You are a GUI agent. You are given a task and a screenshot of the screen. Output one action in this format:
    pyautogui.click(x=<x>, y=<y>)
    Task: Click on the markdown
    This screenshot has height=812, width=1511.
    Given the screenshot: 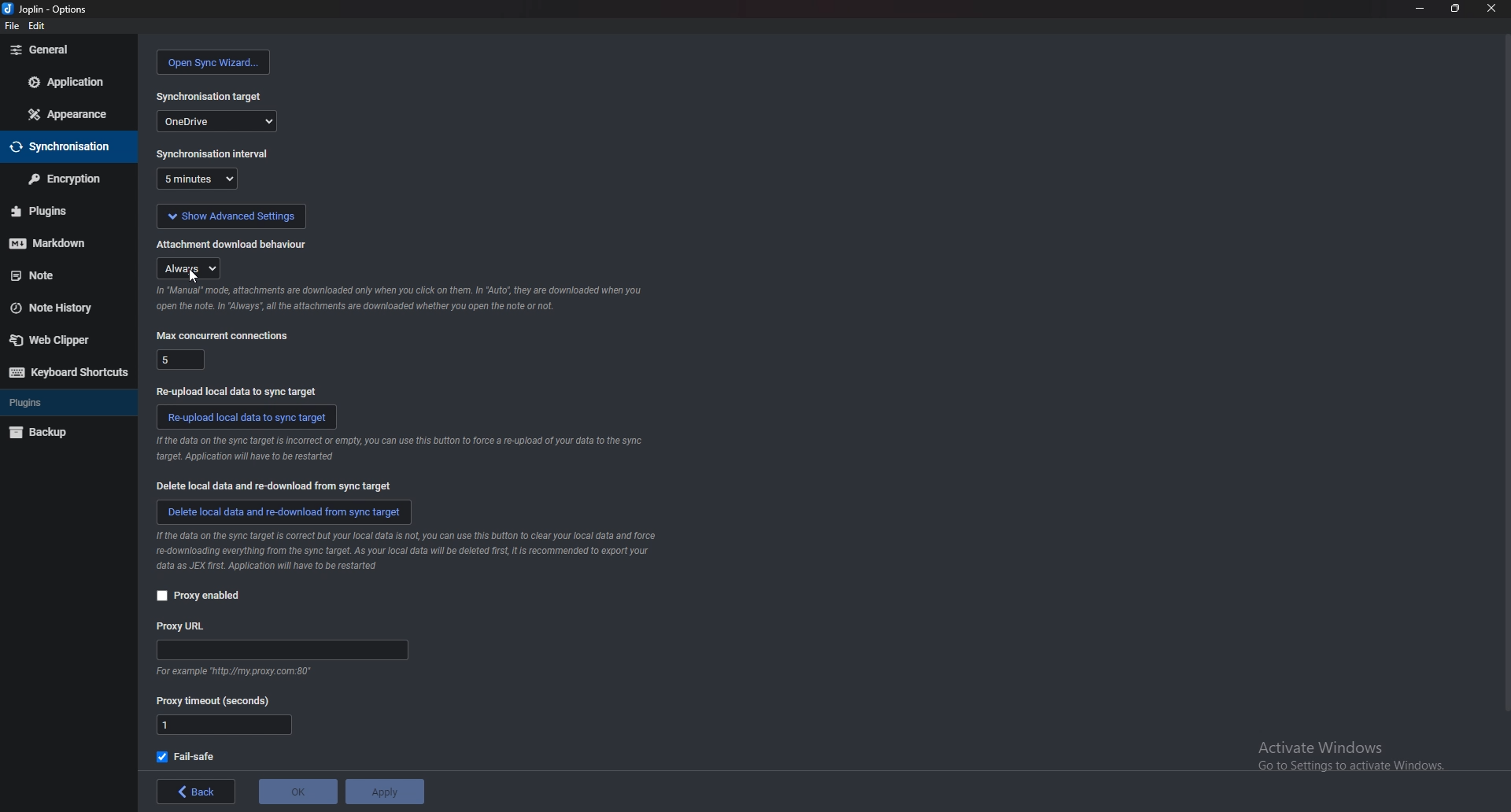 What is the action you would take?
    pyautogui.click(x=63, y=243)
    